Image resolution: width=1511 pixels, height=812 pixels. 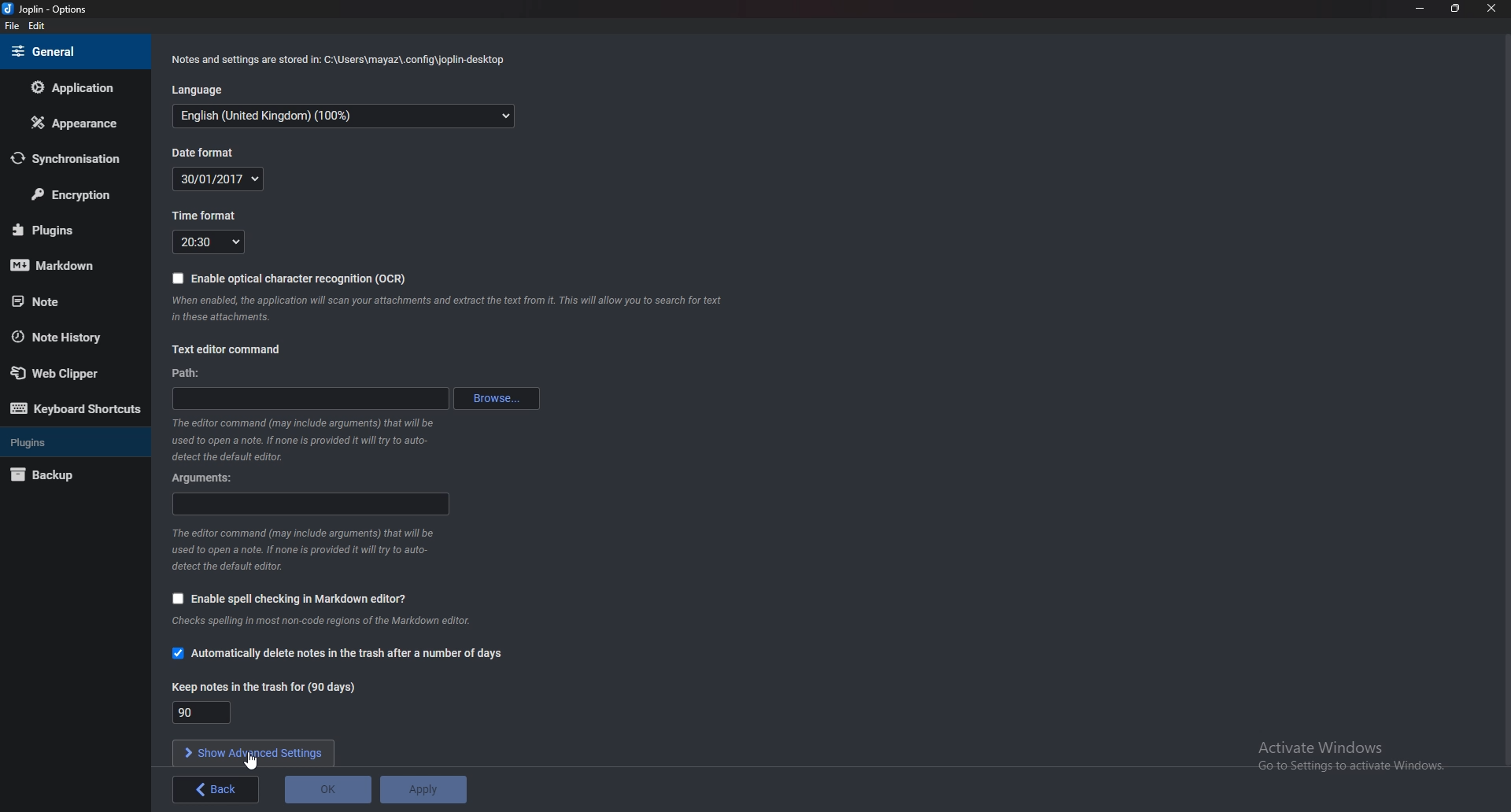 I want to click on Application, so click(x=73, y=87).